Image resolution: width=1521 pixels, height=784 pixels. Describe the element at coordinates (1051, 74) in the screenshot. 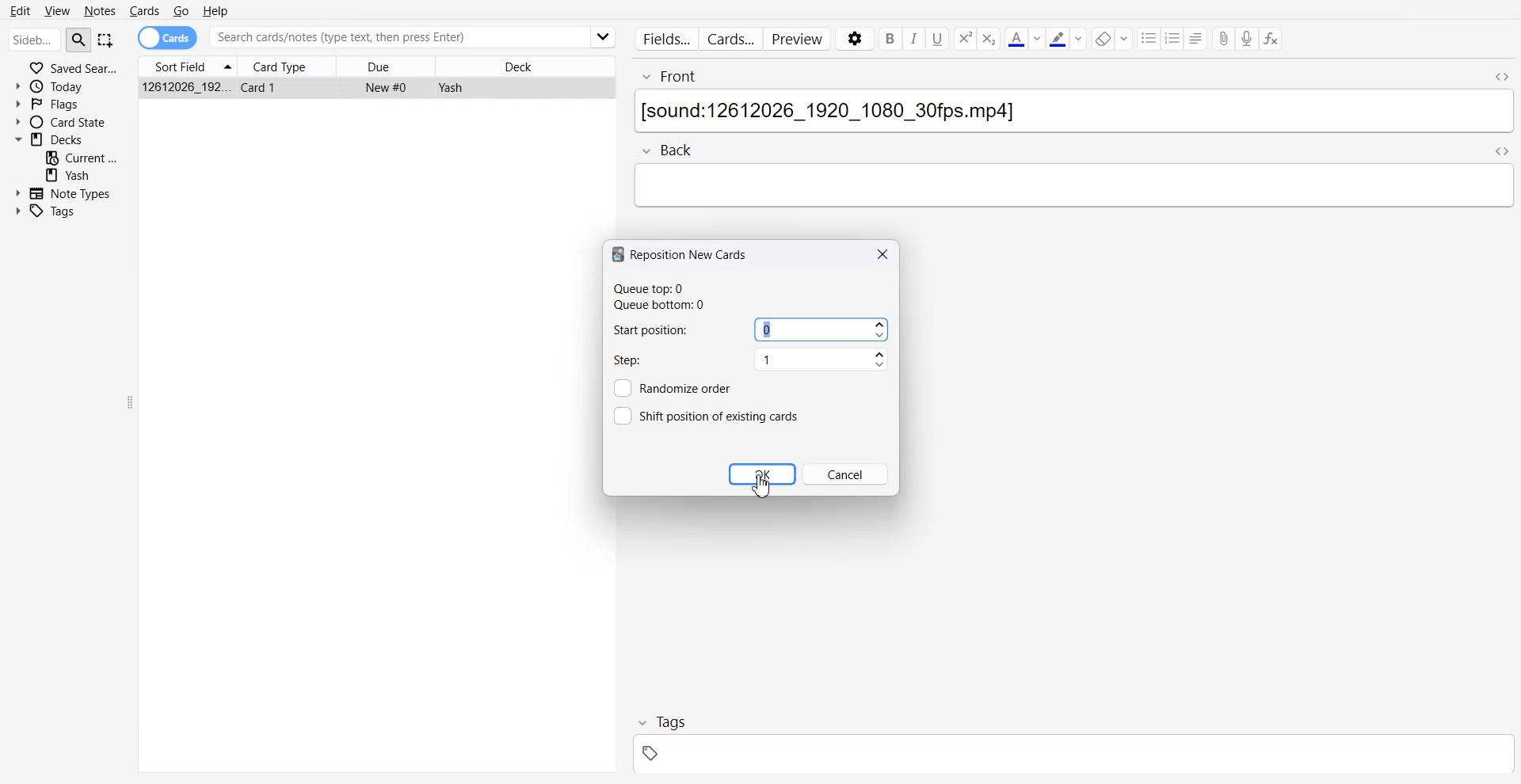

I see `Front` at that location.